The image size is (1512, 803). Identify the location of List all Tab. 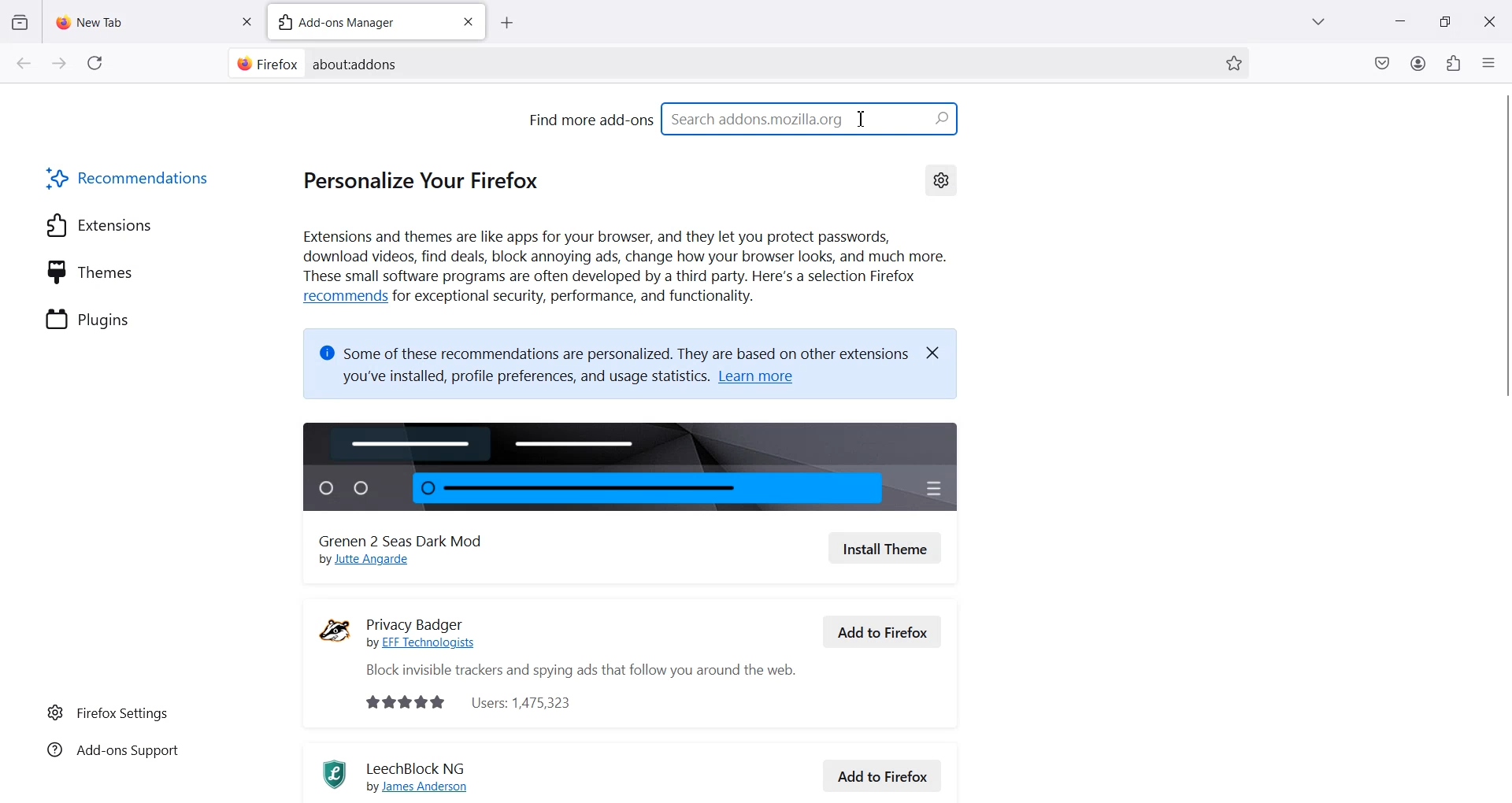
(1317, 21).